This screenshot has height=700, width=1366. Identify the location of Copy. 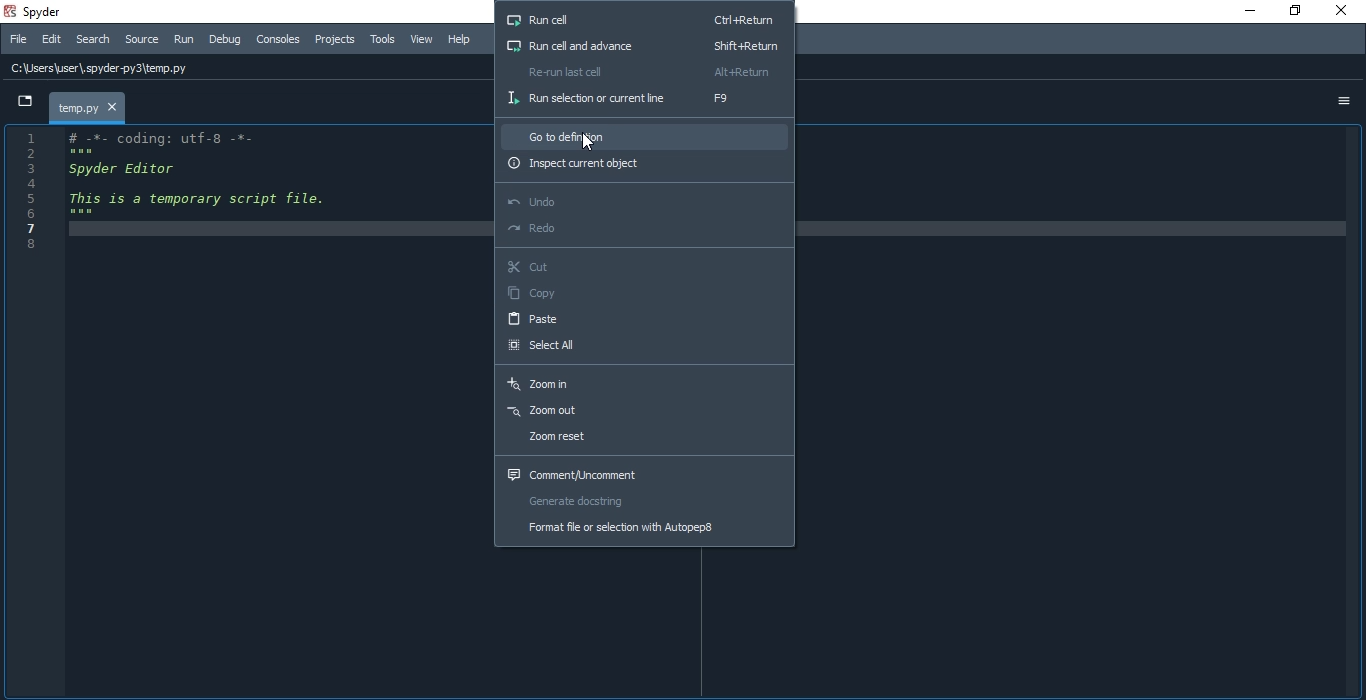
(641, 295).